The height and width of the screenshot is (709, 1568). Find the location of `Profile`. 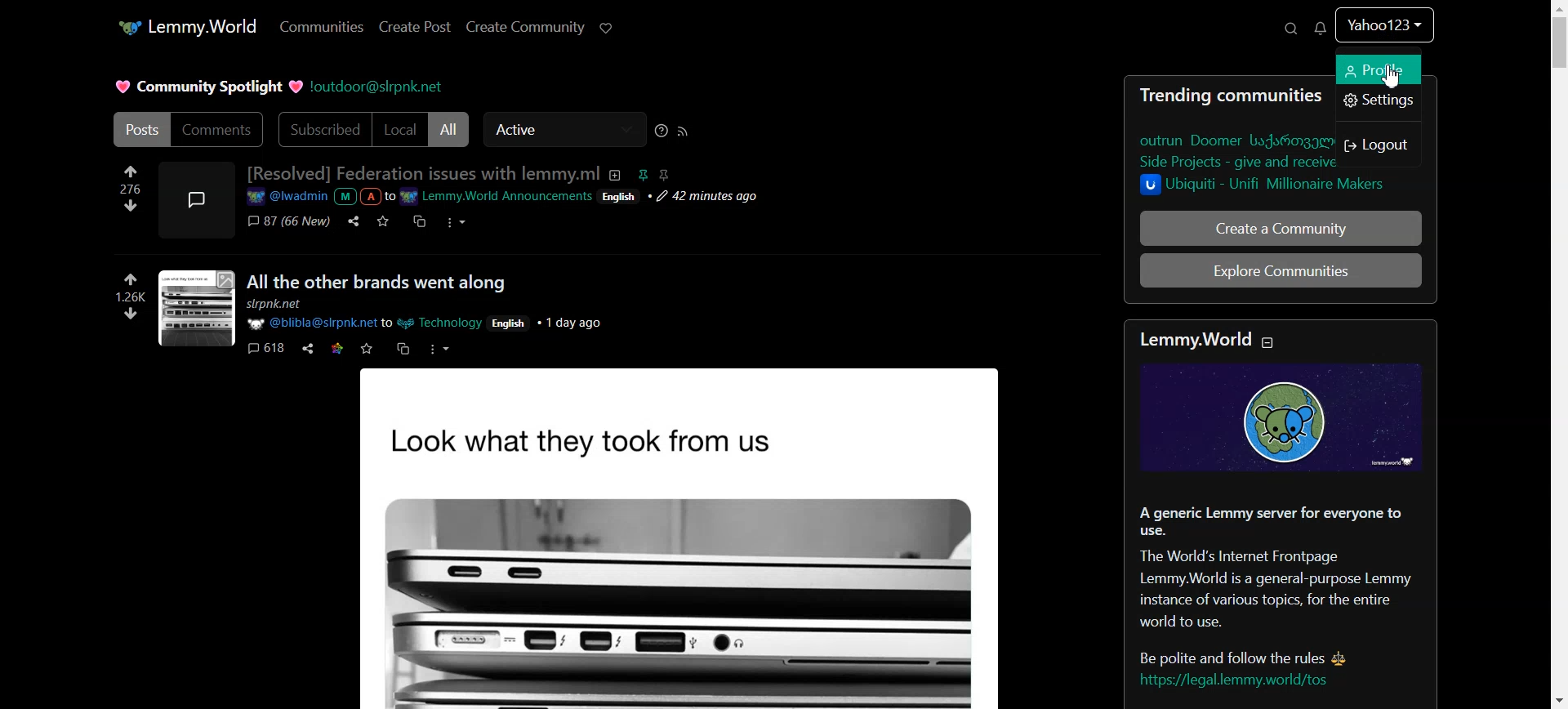

Profile is located at coordinates (1379, 69).